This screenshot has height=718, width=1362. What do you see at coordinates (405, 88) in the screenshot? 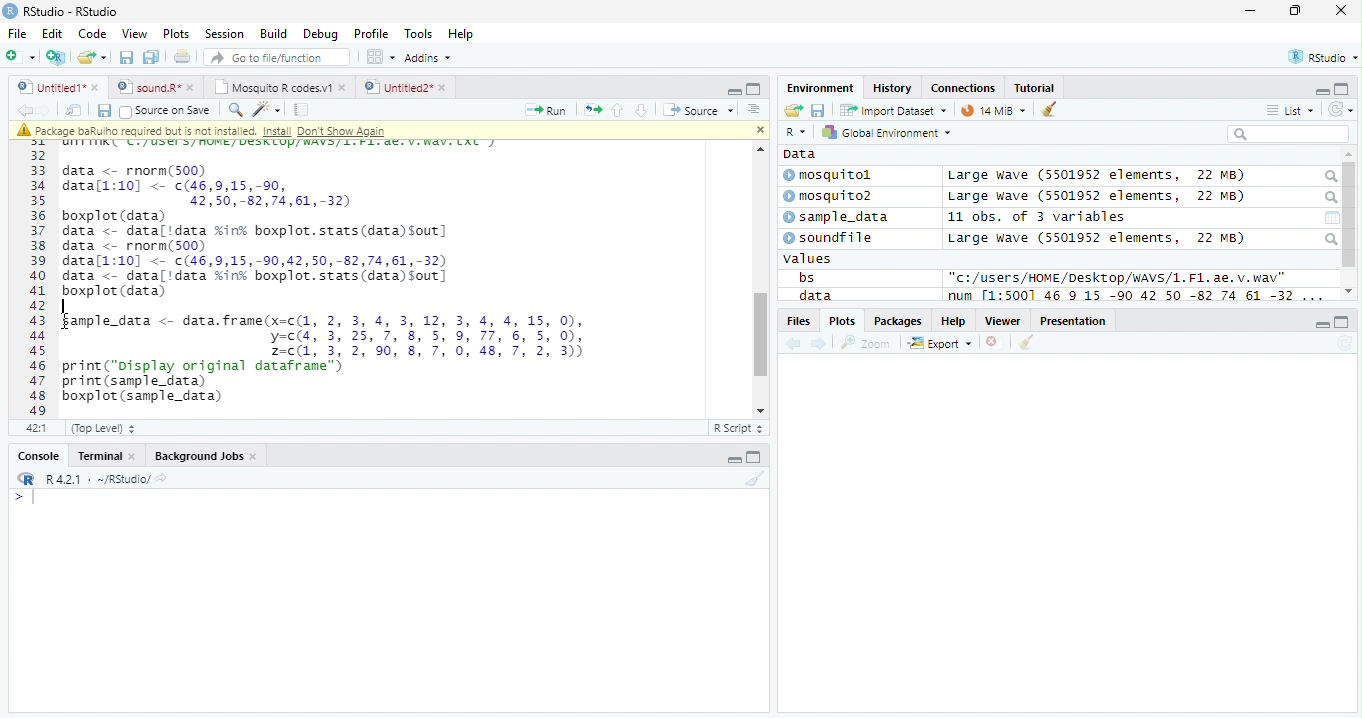
I see `Untitled2` at bounding box center [405, 88].